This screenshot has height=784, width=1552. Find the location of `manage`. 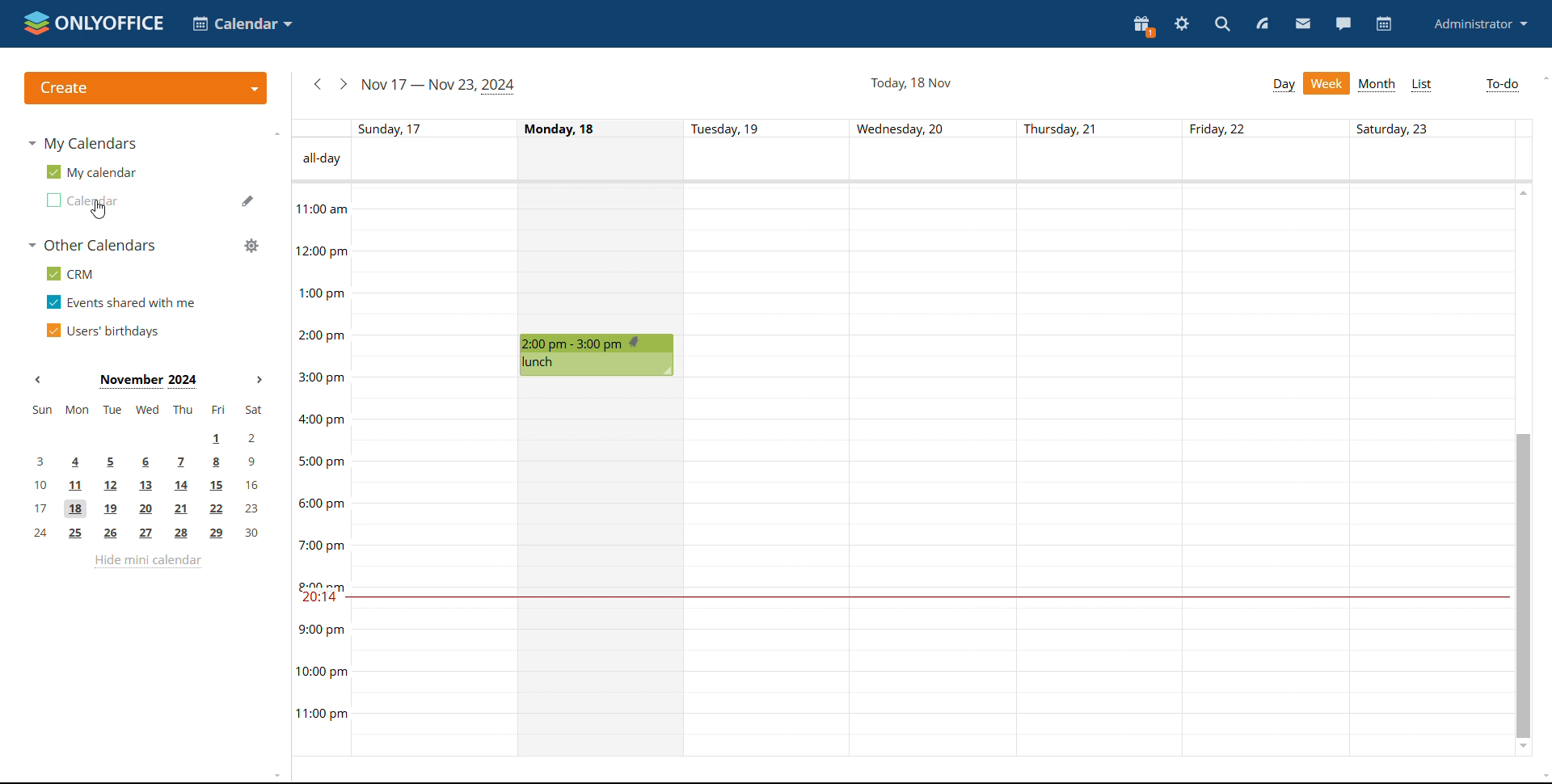

manage is located at coordinates (251, 245).